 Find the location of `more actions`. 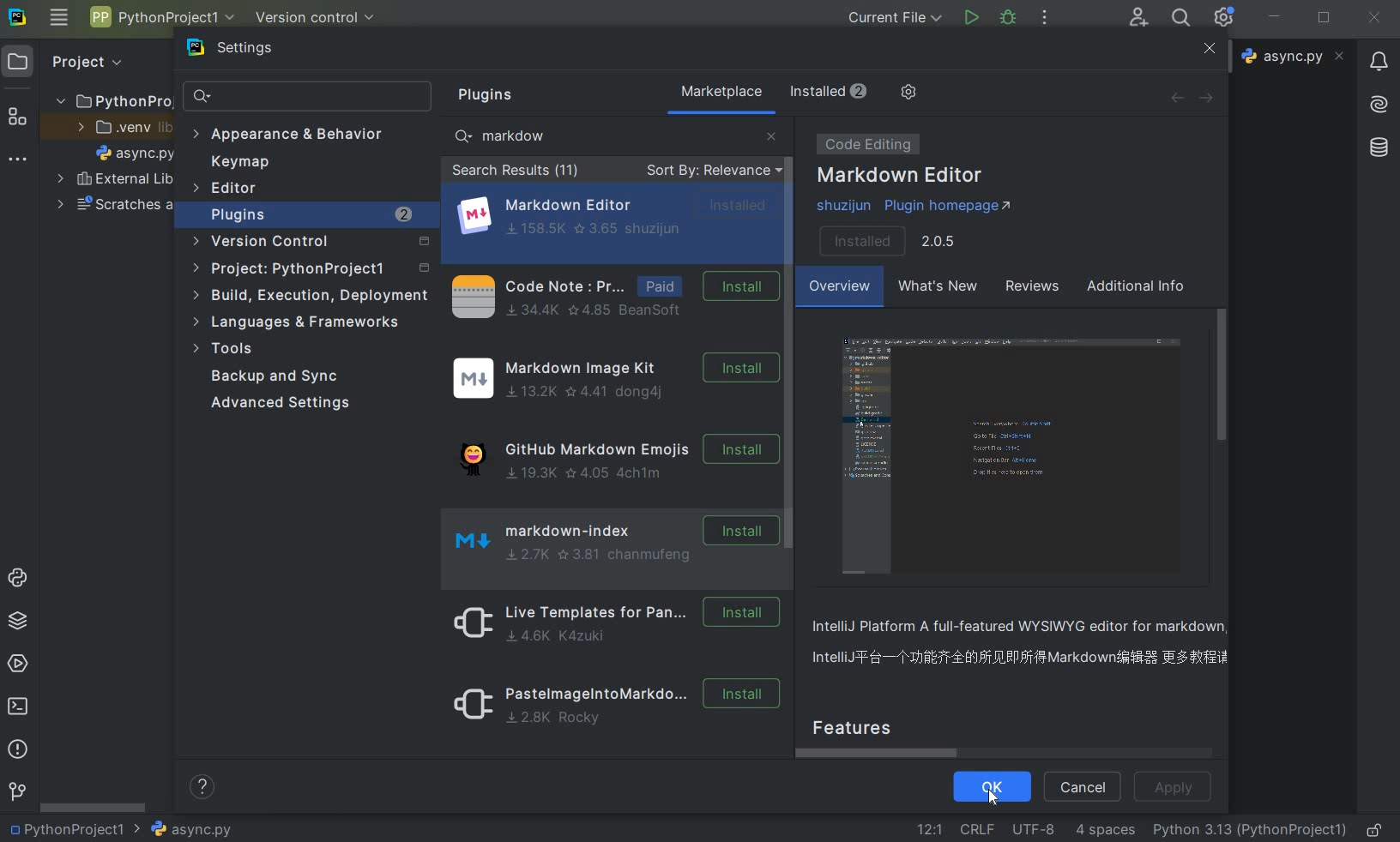

more actions is located at coordinates (1043, 19).